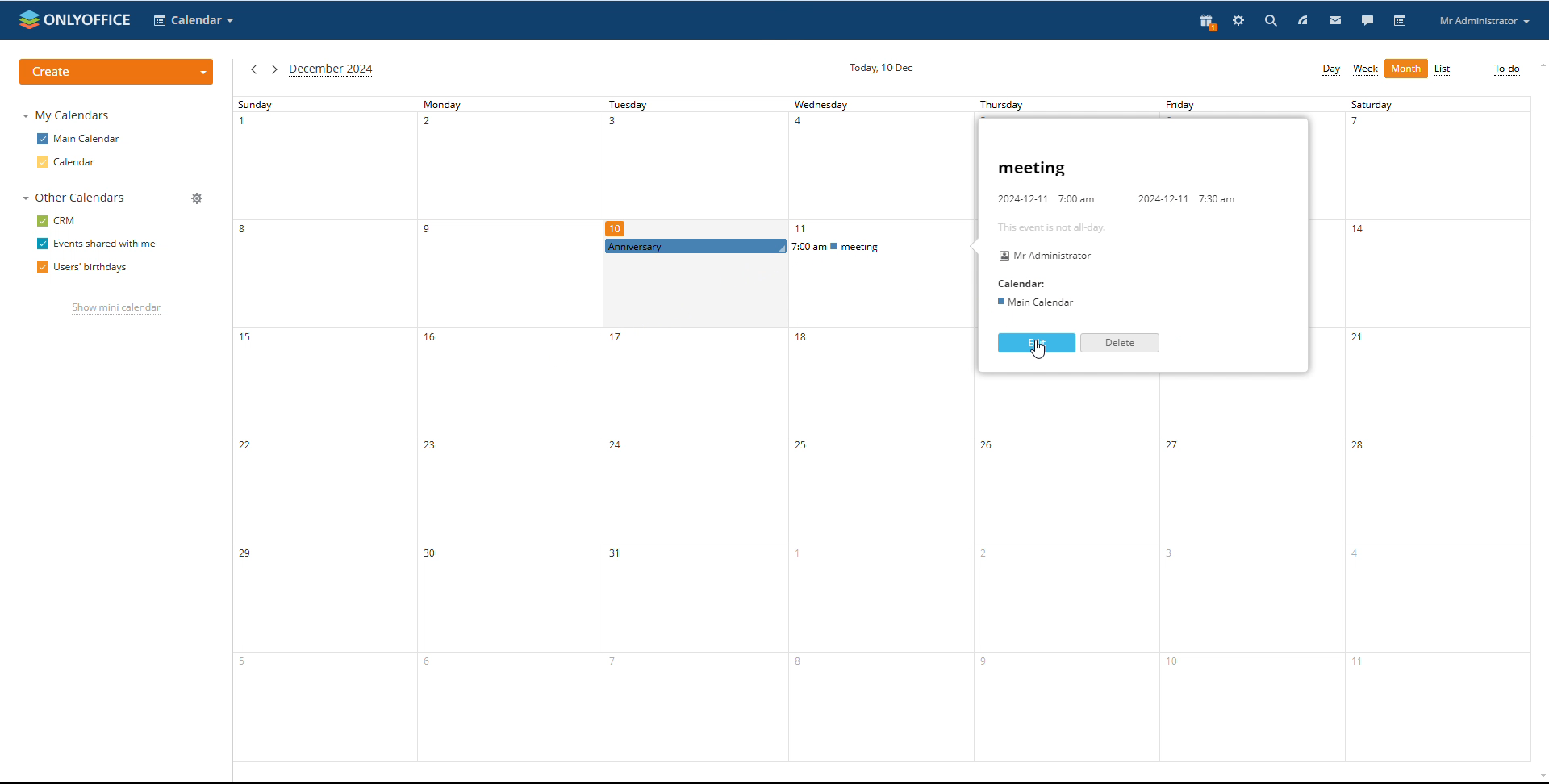 The width and height of the screenshot is (1549, 784). What do you see at coordinates (880, 166) in the screenshot?
I see `wednesday` at bounding box center [880, 166].